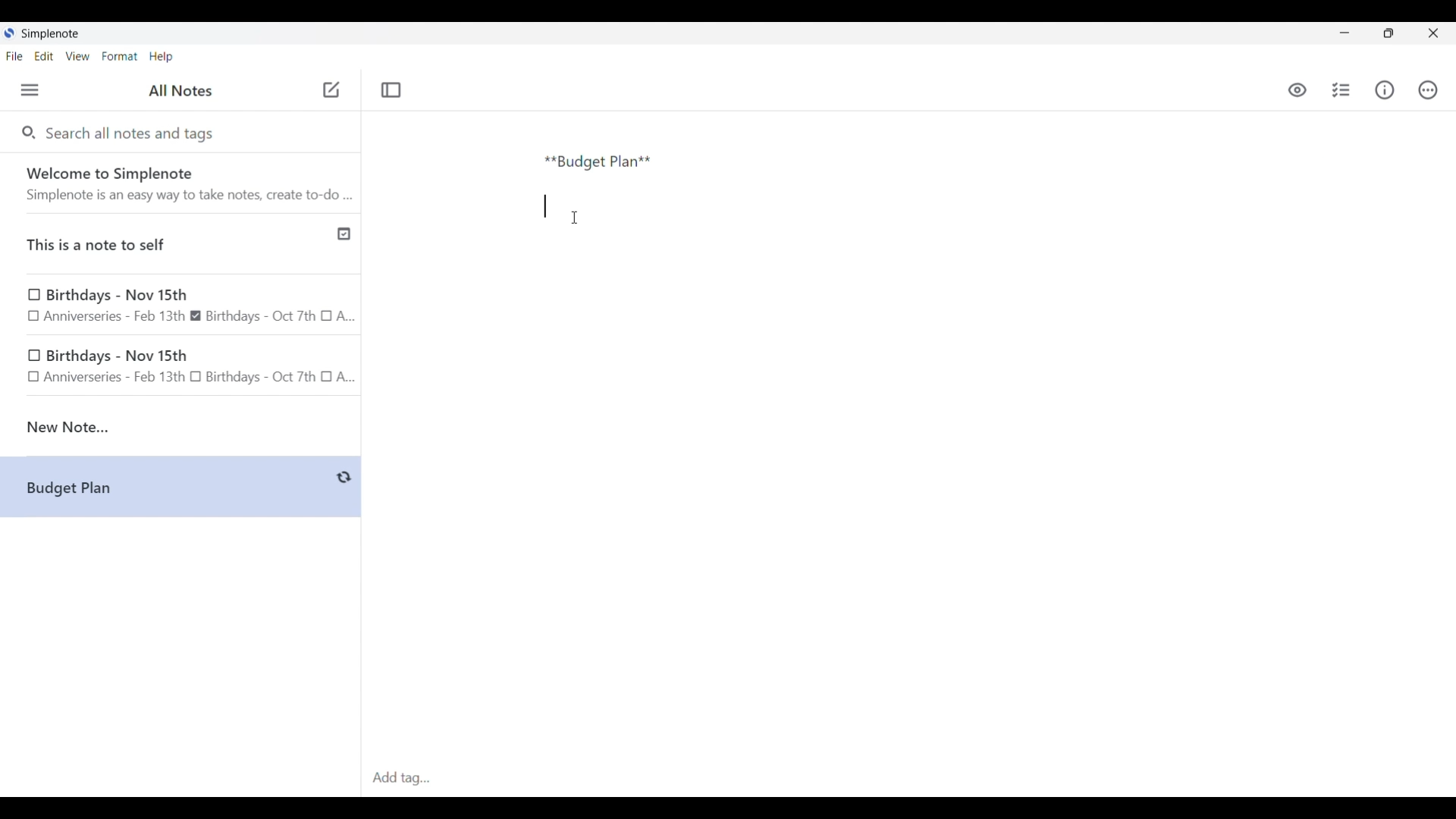  Describe the element at coordinates (1385, 89) in the screenshot. I see `Info` at that location.